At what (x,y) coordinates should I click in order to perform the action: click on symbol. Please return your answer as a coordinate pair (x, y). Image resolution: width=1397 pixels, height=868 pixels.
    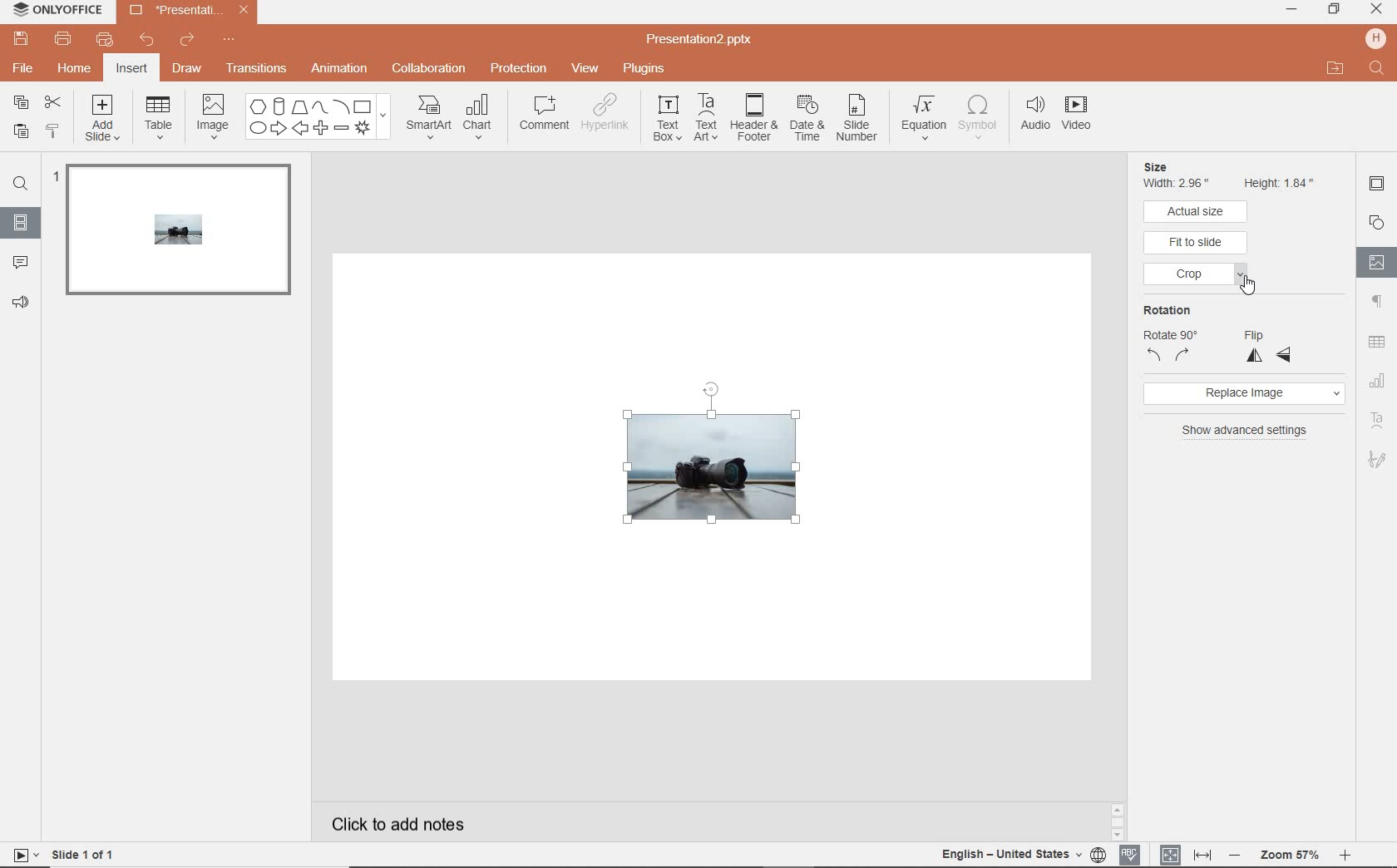
    Looking at the image, I should click on (980, 117).